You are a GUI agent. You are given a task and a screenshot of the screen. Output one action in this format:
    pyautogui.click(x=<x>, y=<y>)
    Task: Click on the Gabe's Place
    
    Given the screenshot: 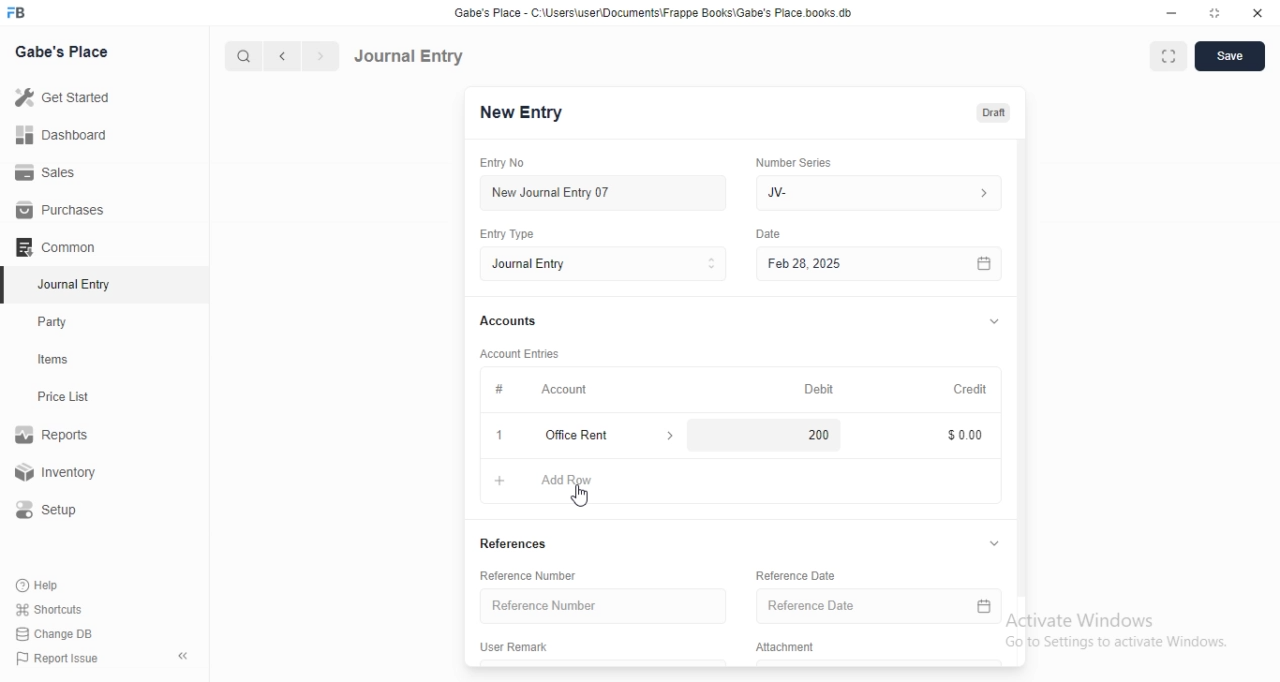 What is the action you would take?
    pyautogui.click(x=64, y=51)
    